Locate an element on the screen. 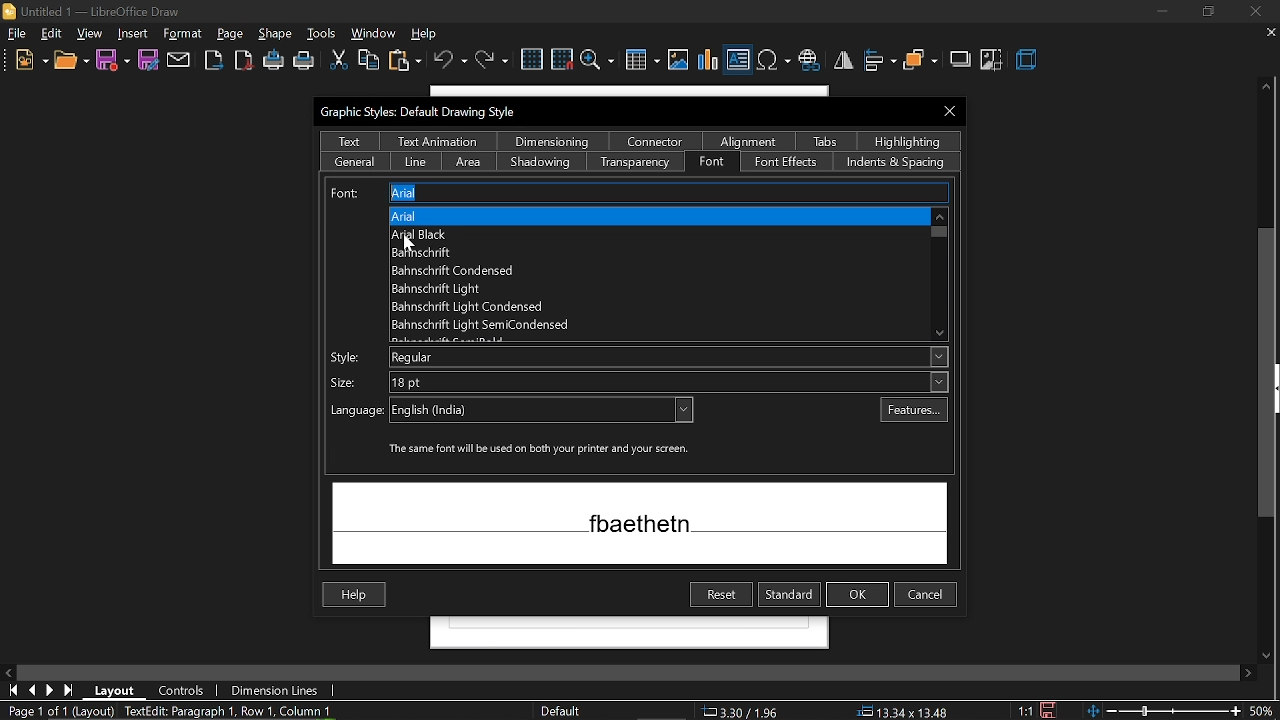 This screenshot has width=1280, height=720. area is located at coordinates (469, 161).